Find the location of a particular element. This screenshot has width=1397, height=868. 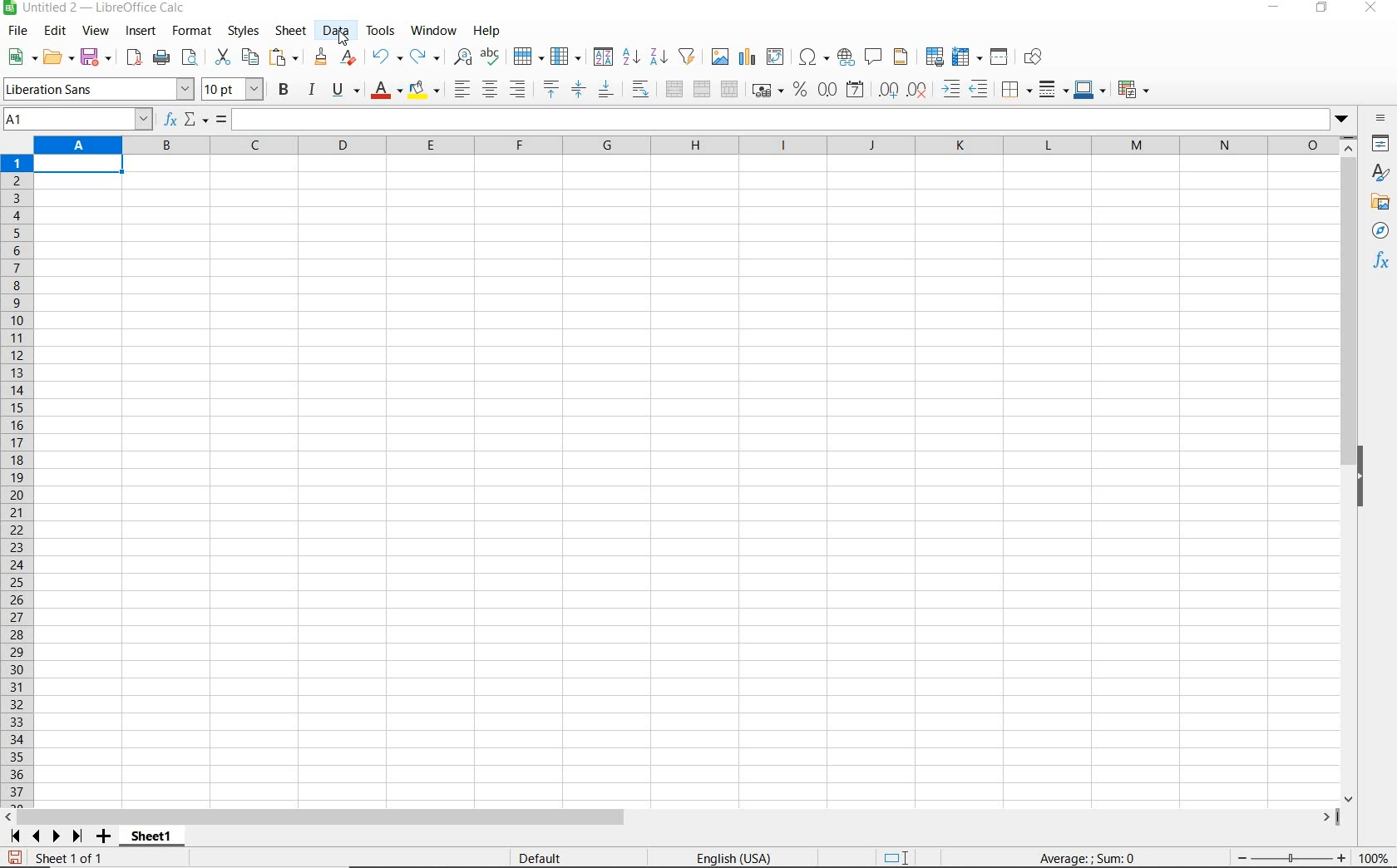

zoom factor is located at coordinates (1375, 857).